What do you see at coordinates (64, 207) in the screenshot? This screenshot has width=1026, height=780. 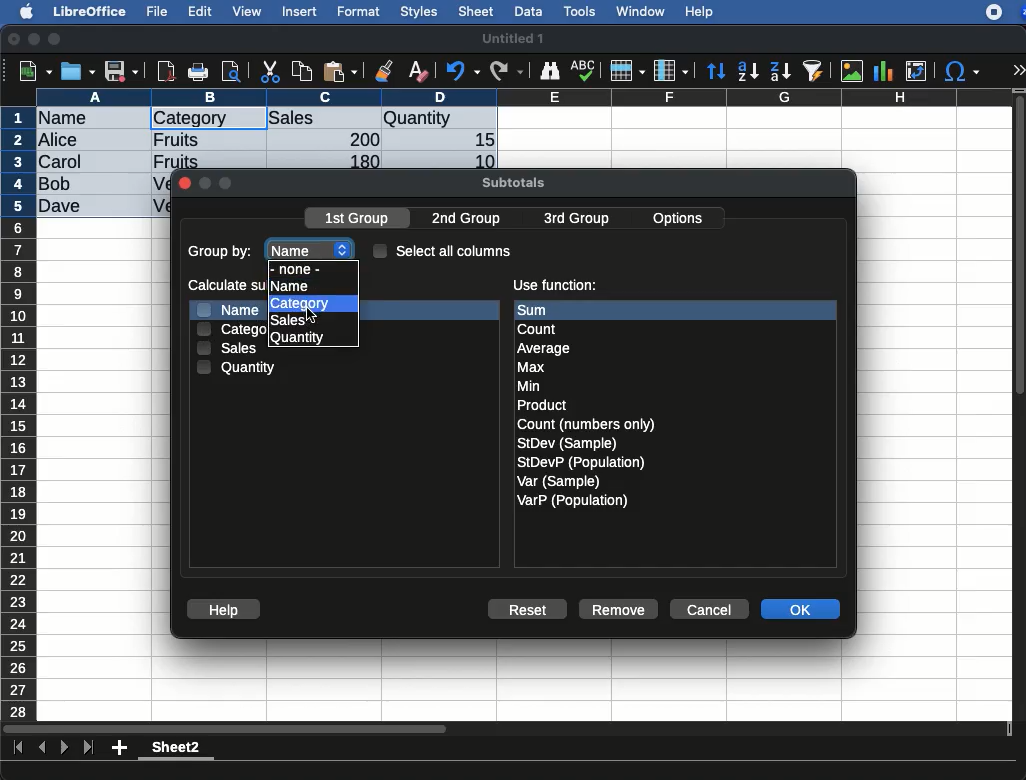 I see `Dave` at bounding box center [64, 207].